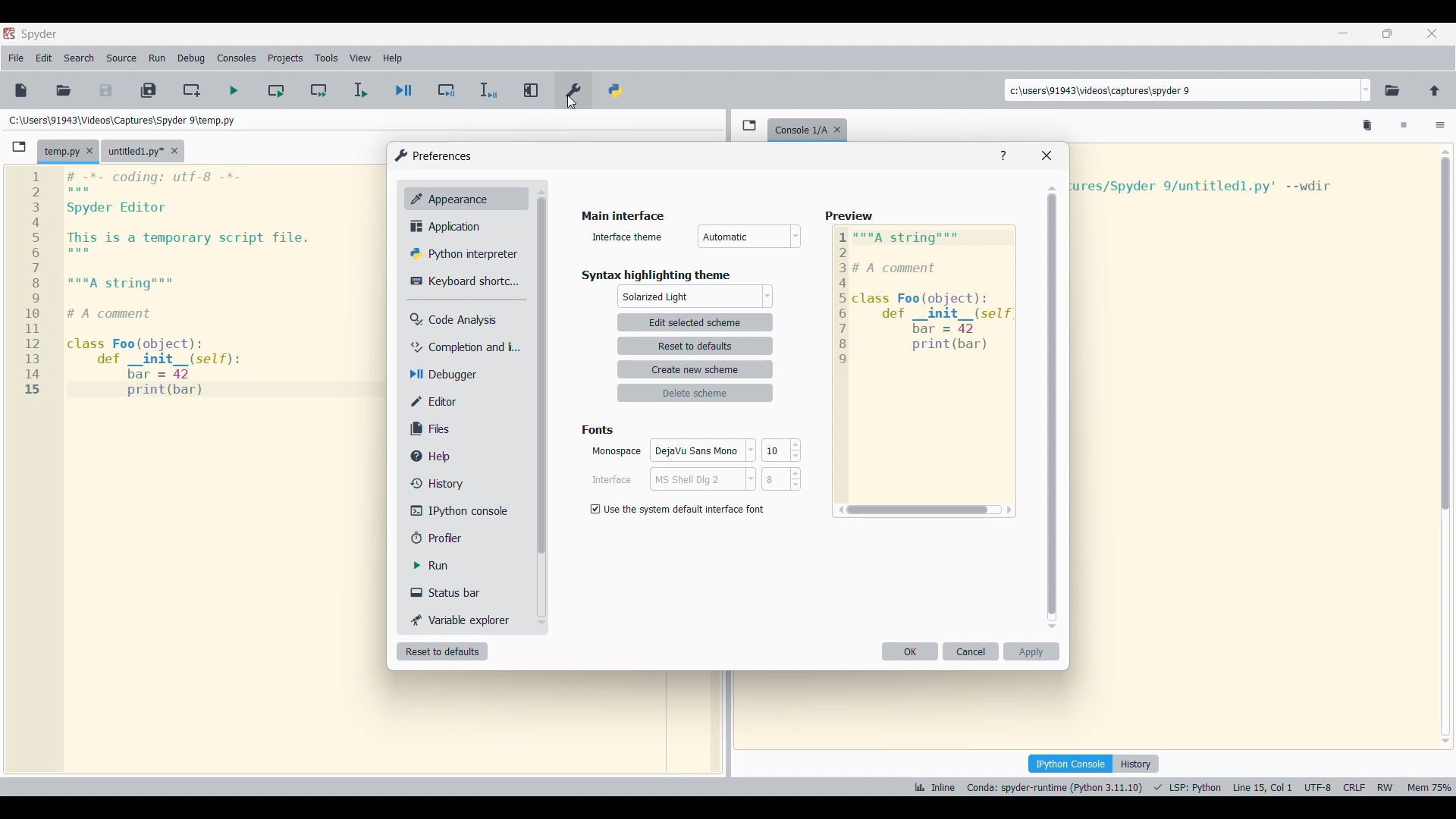 This screenshot has width=1456, height=819. What do you see at coordinates (489, 90) in the screenshot?
I see `Debug selection/current line` at bounding box center [489, 90].